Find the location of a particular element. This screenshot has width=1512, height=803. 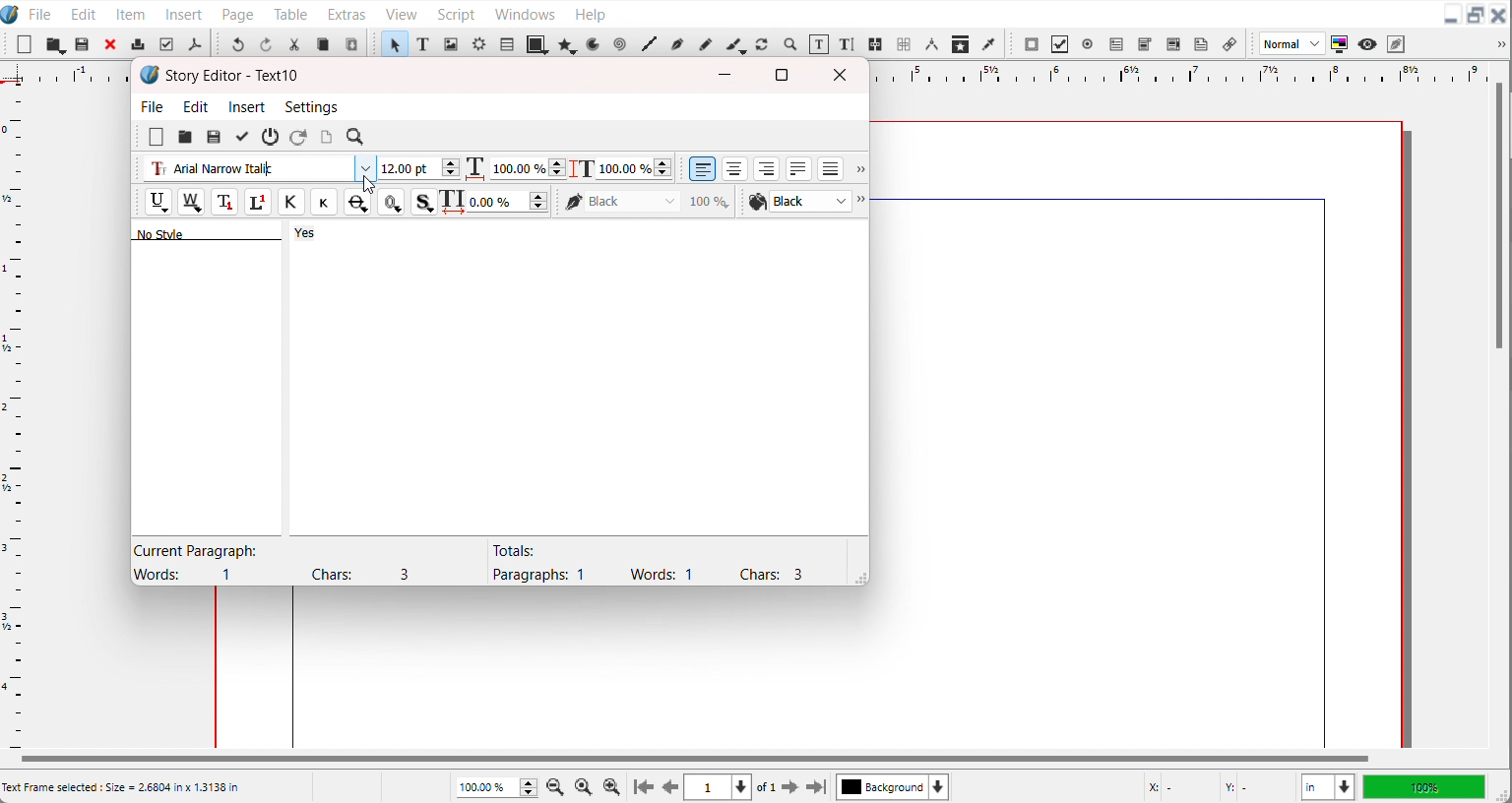

Close is located at coordinates (844, 75).